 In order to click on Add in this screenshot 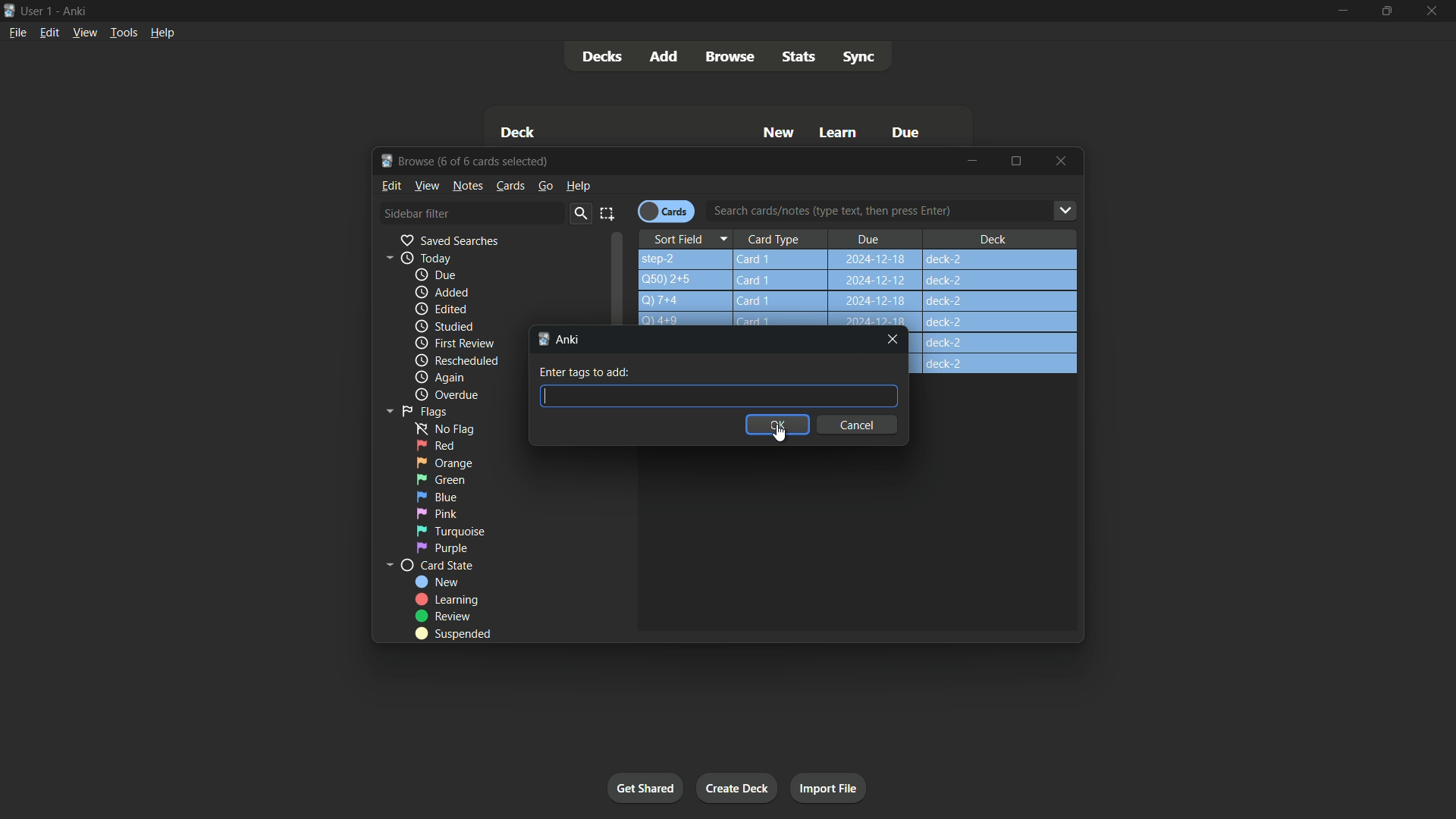, I will do `click(666, 57)`.